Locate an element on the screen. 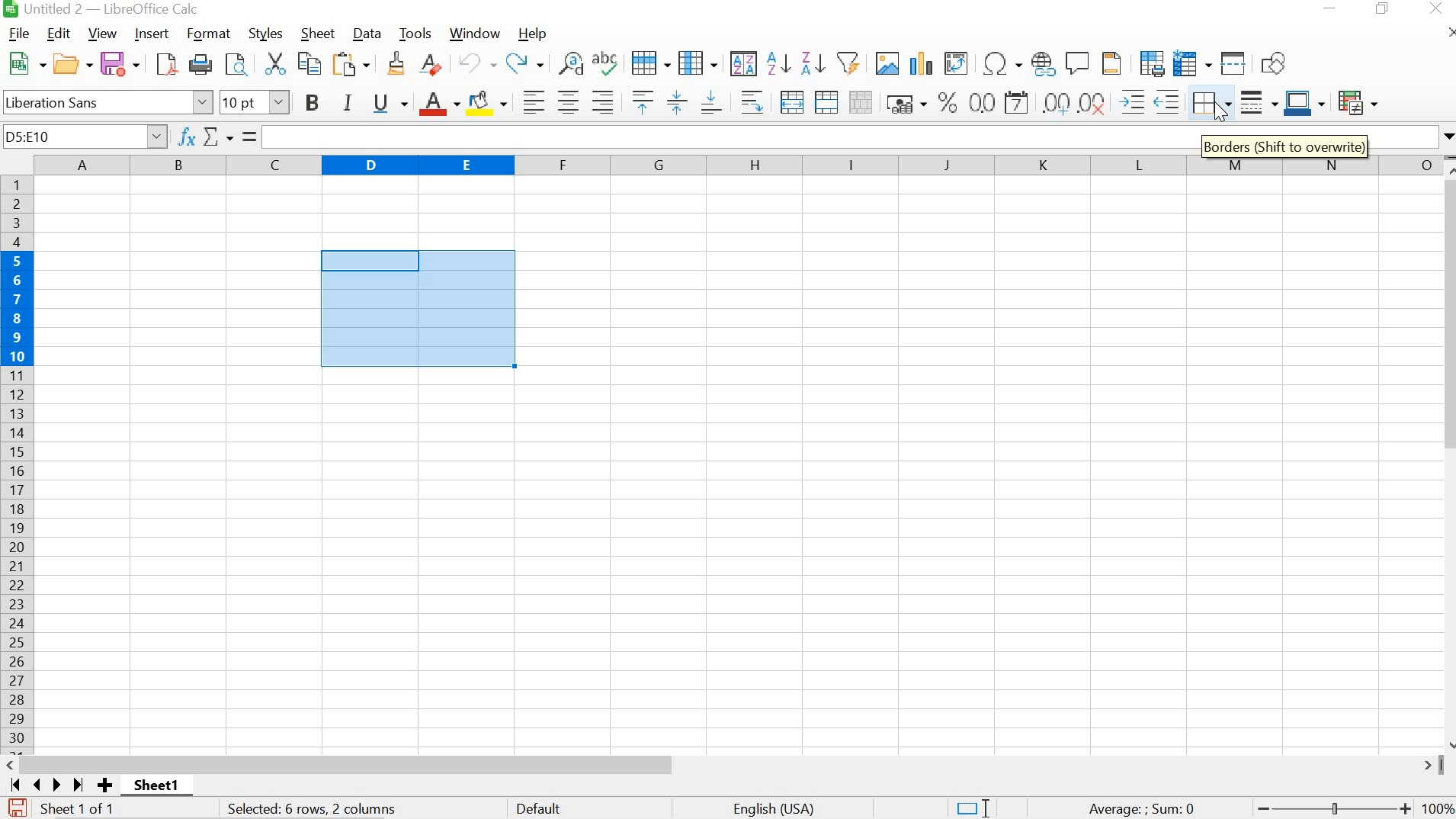 The height and width of the screenshot is (819, 1456). columns is located at coordinates (733, 165).